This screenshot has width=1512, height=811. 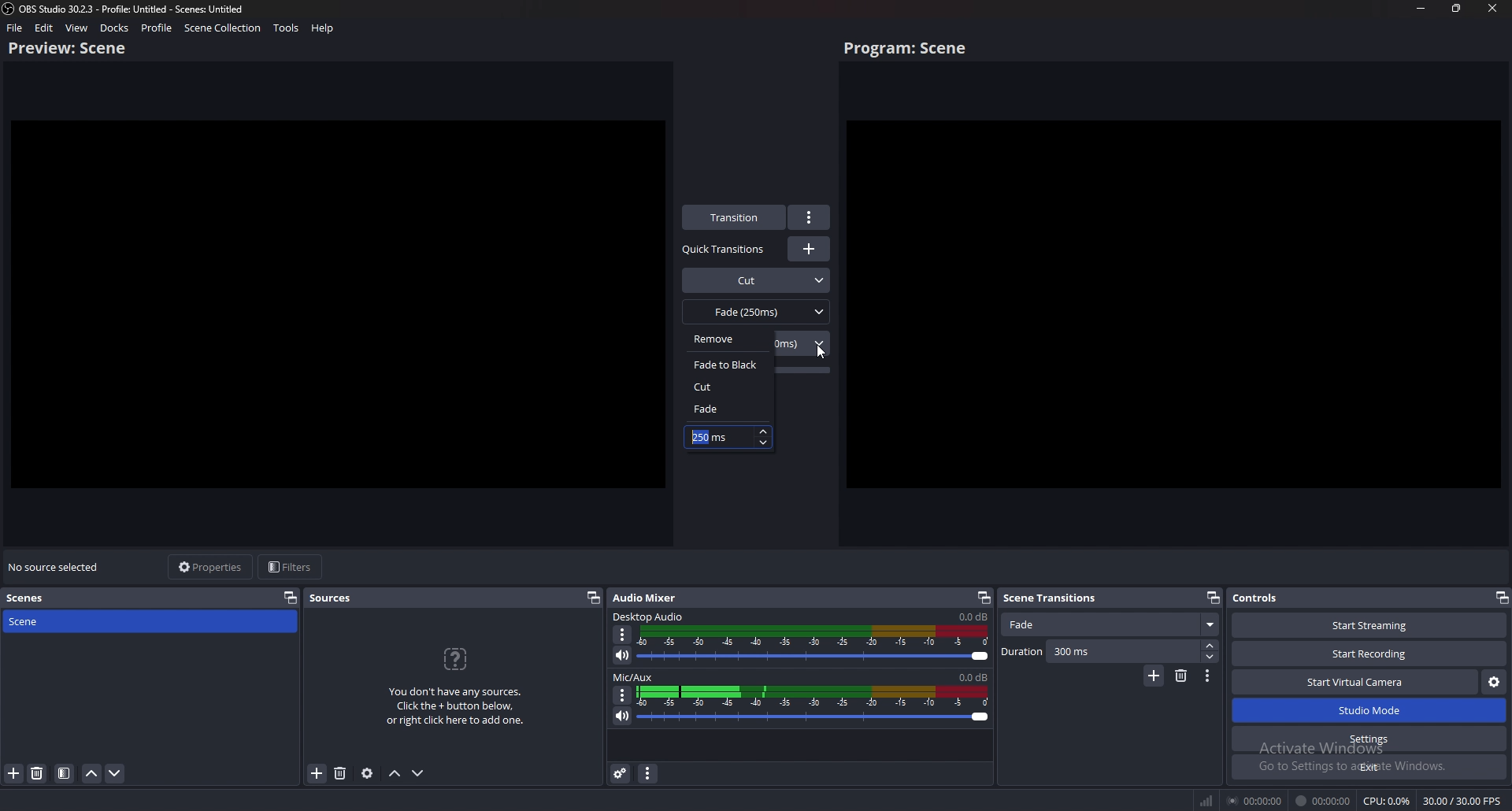 What do you see at coordinates (13, 773) in the screenshot?
I see `add scene` at bounding box center [13, 773].